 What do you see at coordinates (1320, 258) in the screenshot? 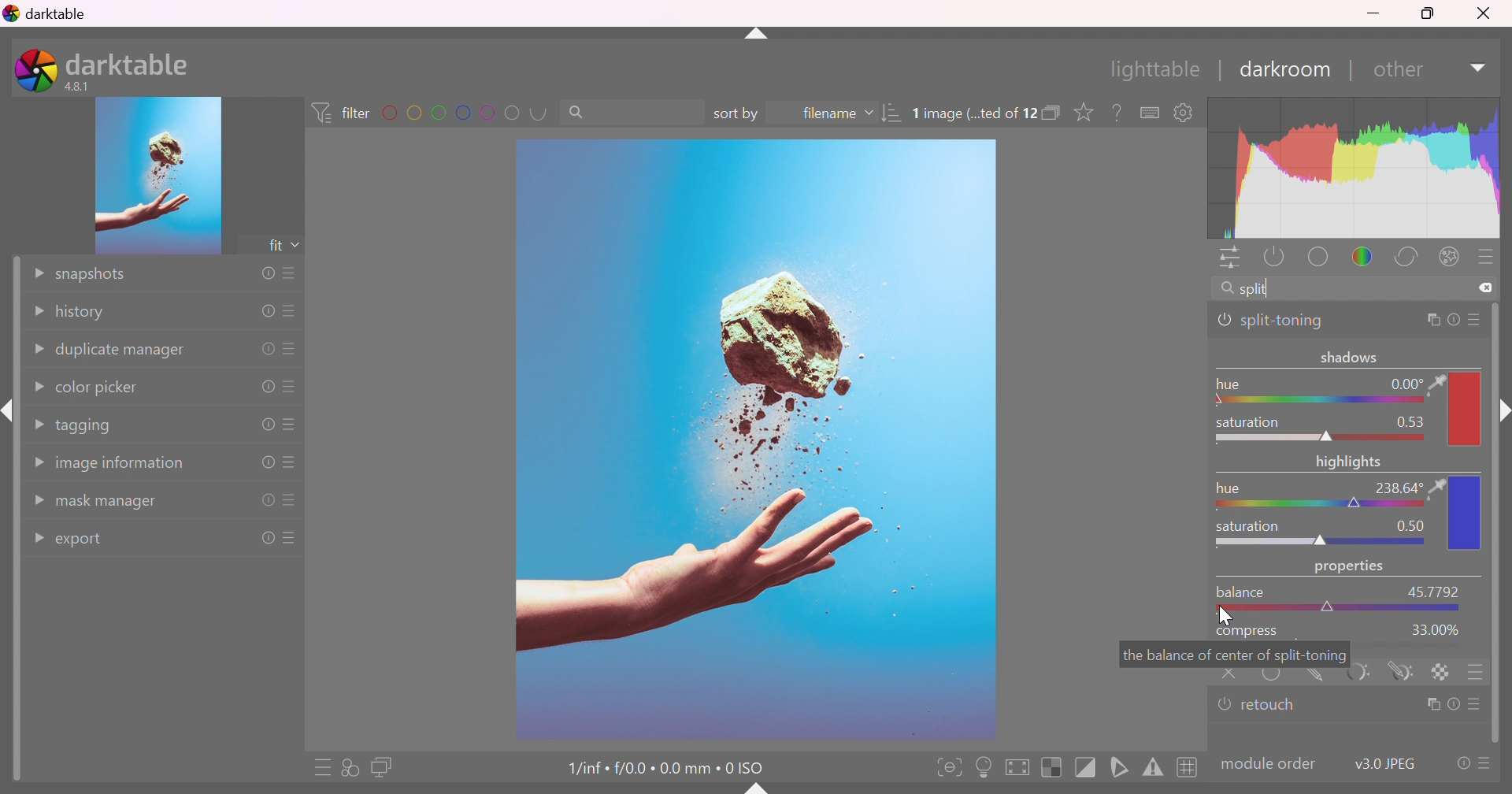
I see `base` at bounding box center [1320, 258].